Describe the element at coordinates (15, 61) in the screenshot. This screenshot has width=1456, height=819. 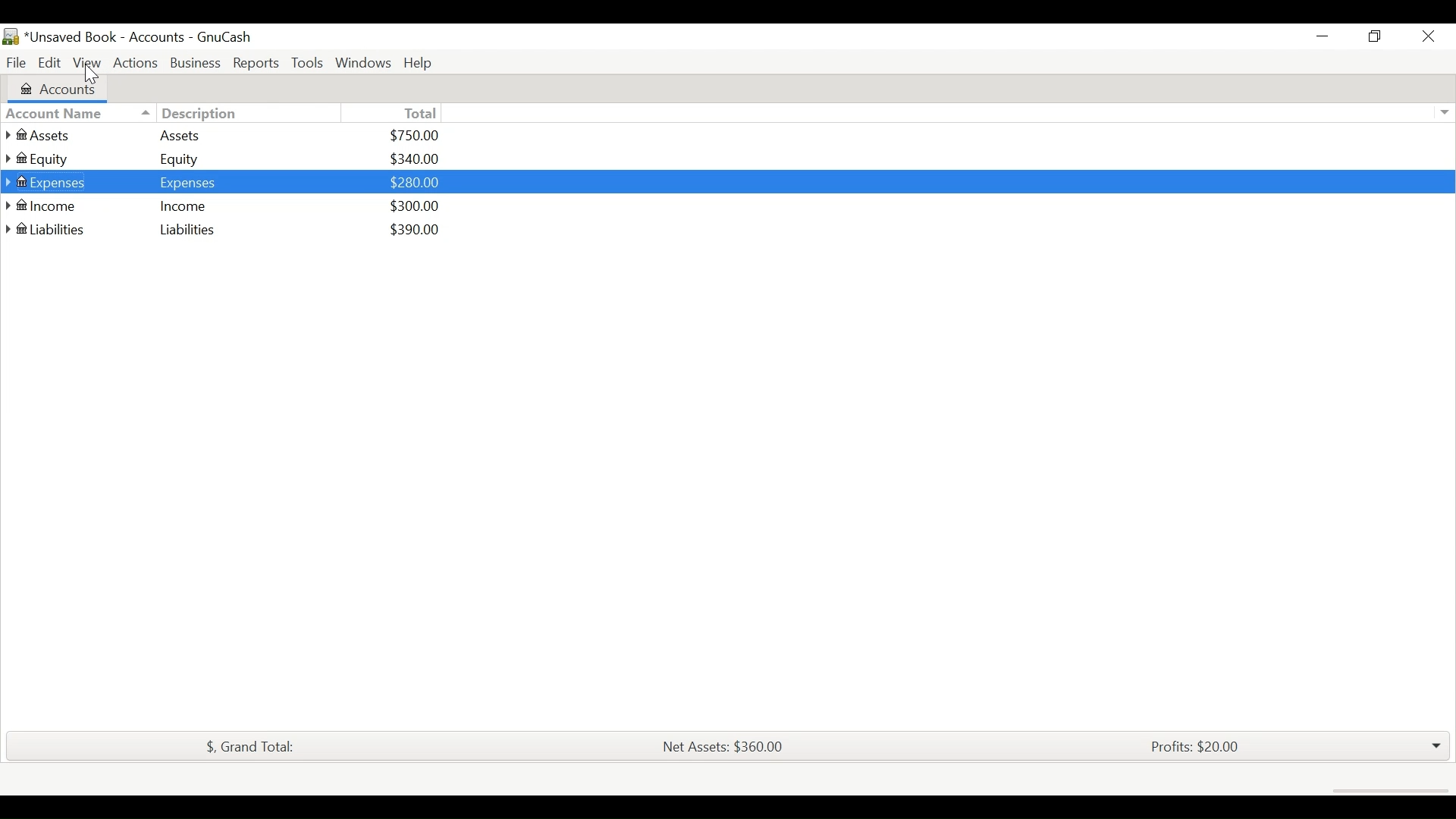
I see `File` at that location.